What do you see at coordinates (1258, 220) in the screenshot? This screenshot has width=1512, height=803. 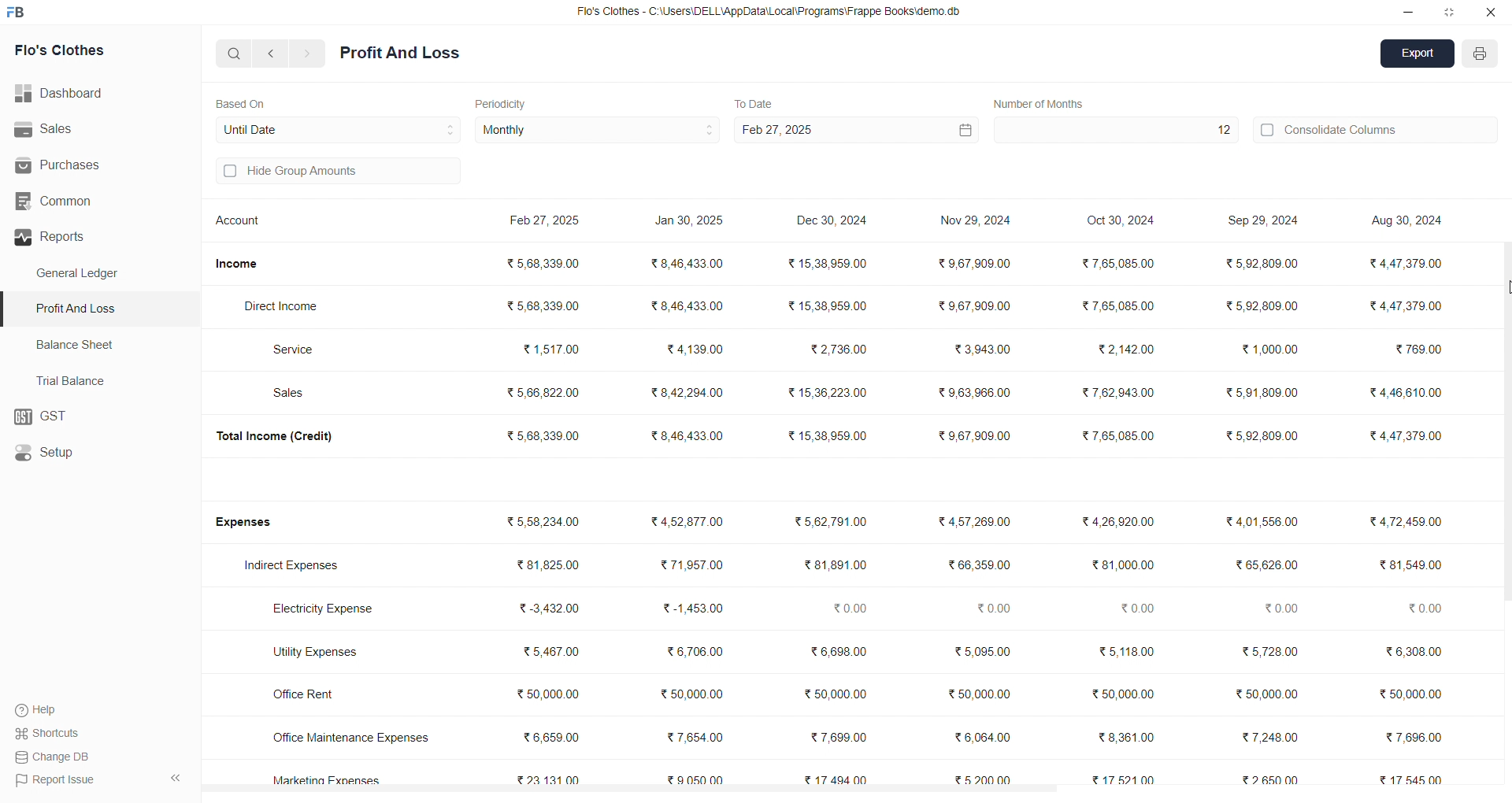 I see `Sep 29, 2024` at bounding box center [1258, 220].